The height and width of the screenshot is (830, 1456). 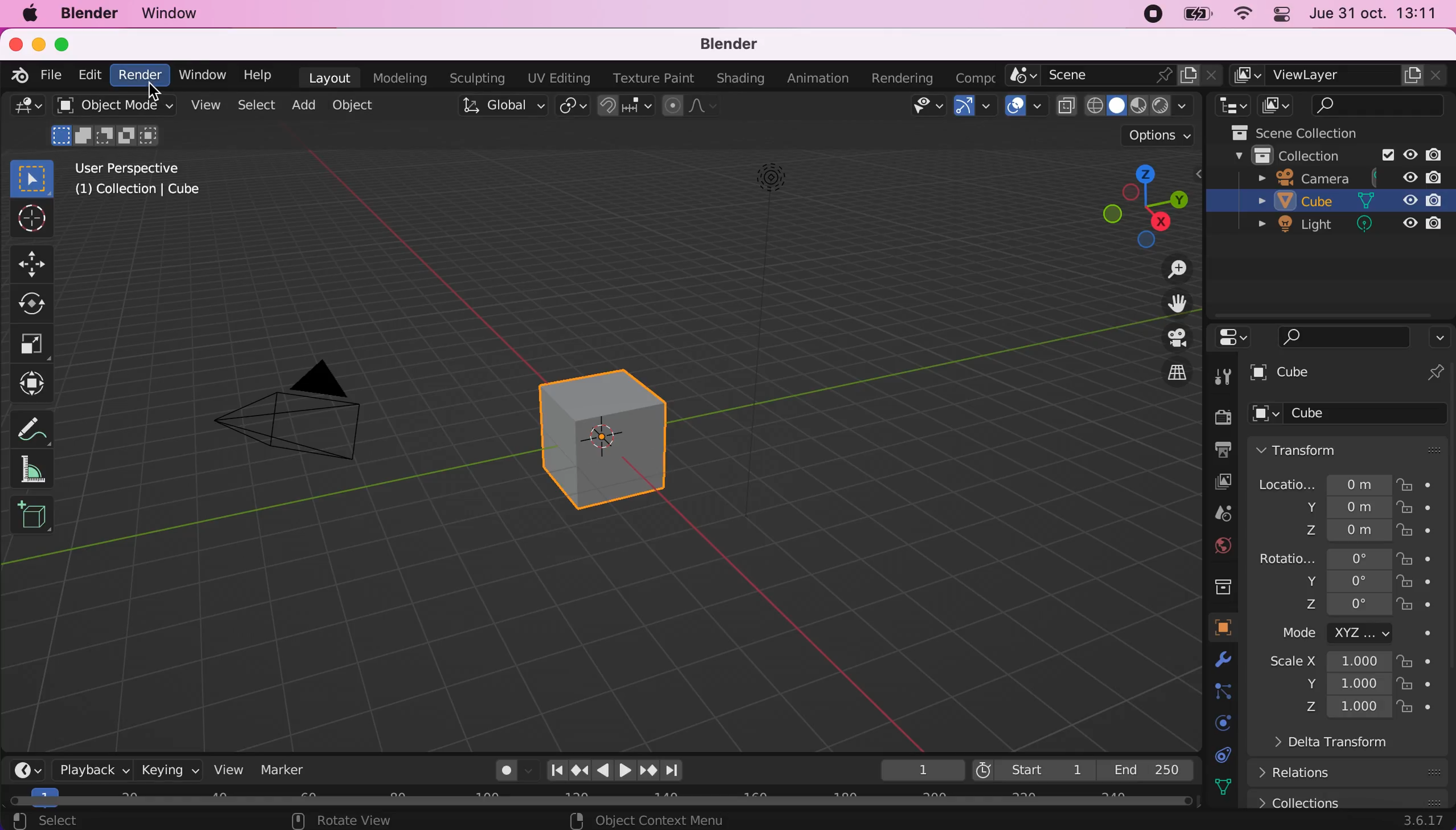 What do you see at coordinates (1417, 685) in the screenshot?
I see `lock` at bounding box center [1417, 685].